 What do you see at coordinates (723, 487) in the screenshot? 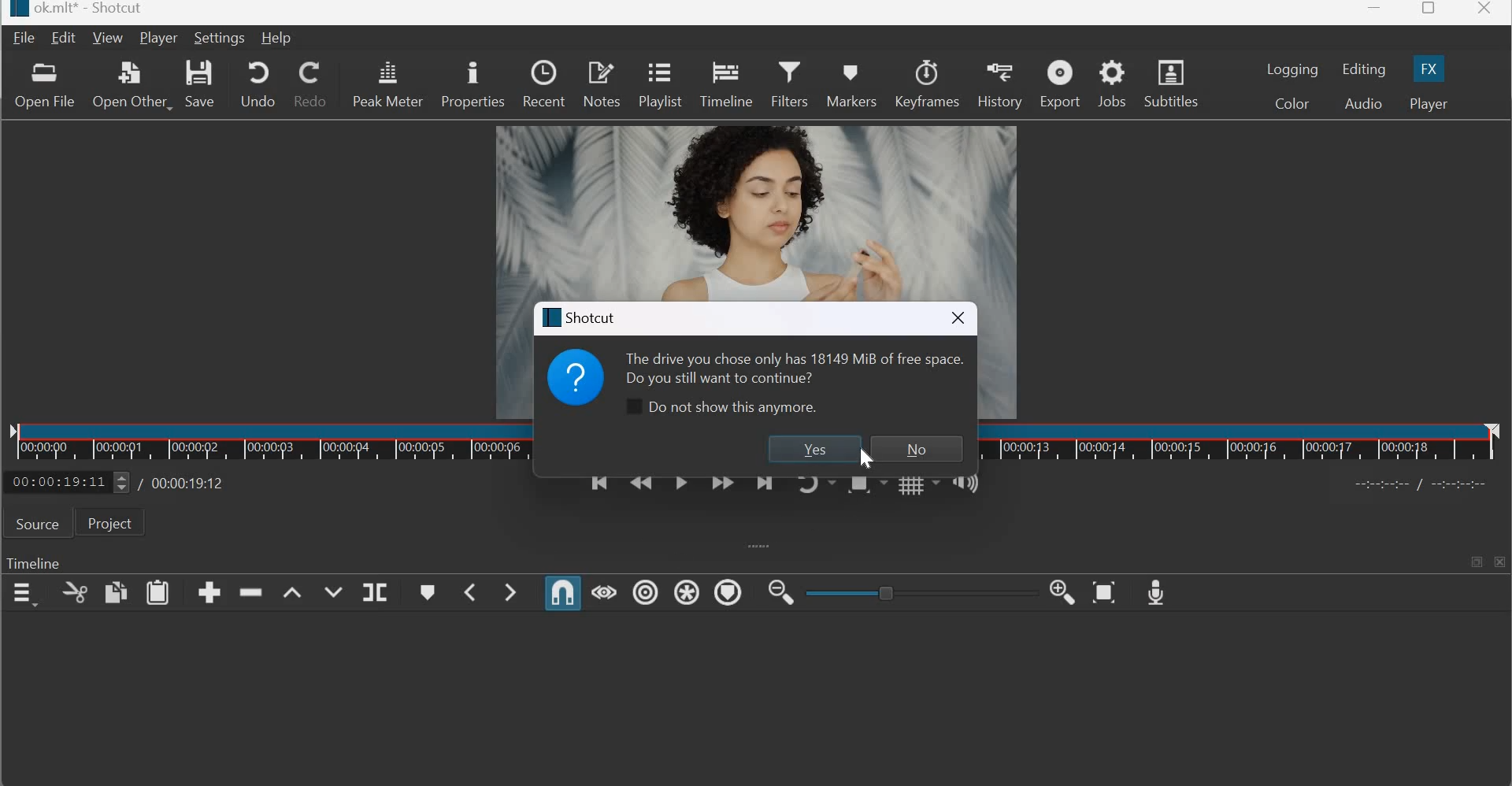
I see `Play quickly forwards` at bounding box center [723, 487].